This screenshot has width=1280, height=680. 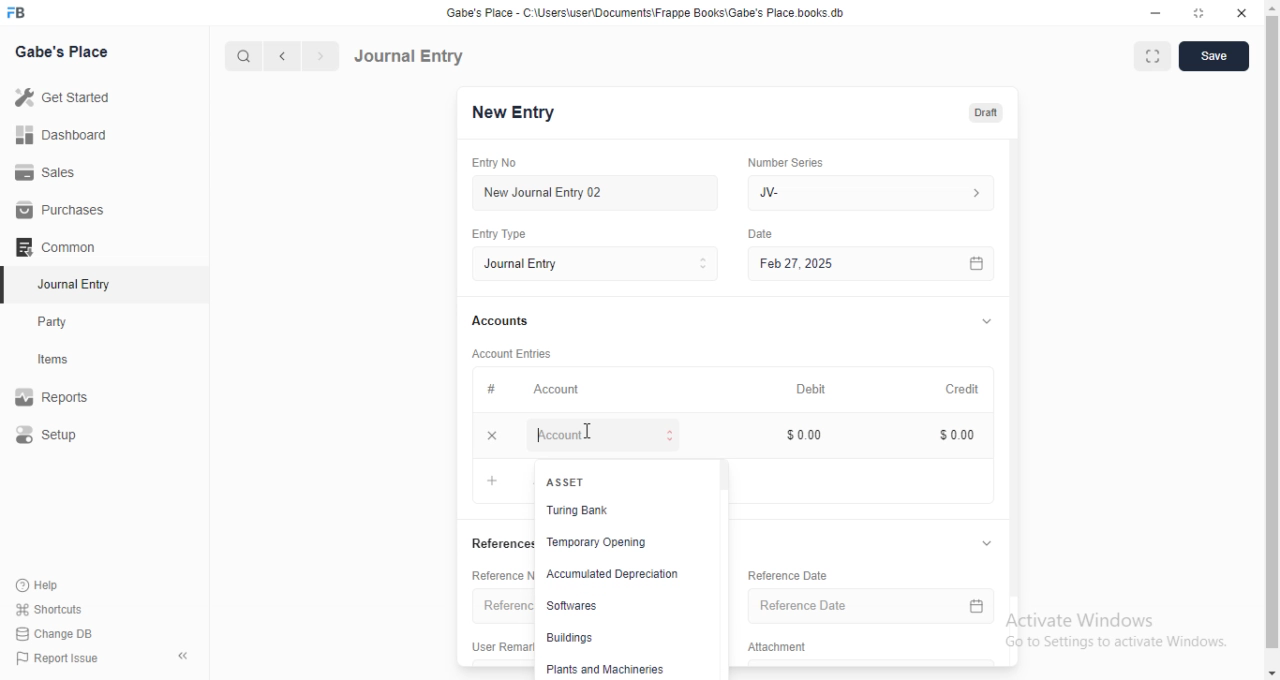 I want to click on Cursor, so click(x=586, y=428).